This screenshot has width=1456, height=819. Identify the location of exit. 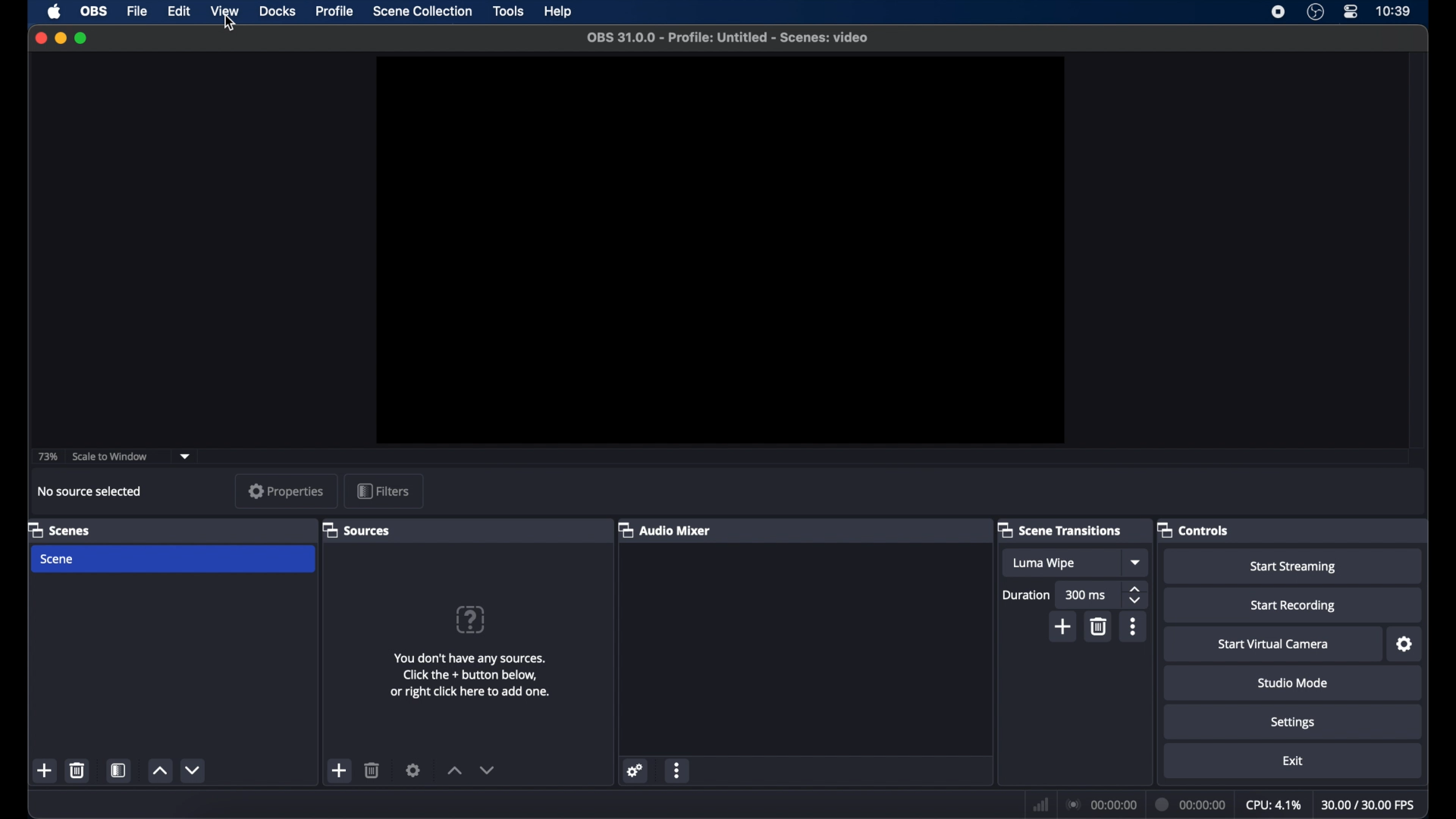
(1292, 761).